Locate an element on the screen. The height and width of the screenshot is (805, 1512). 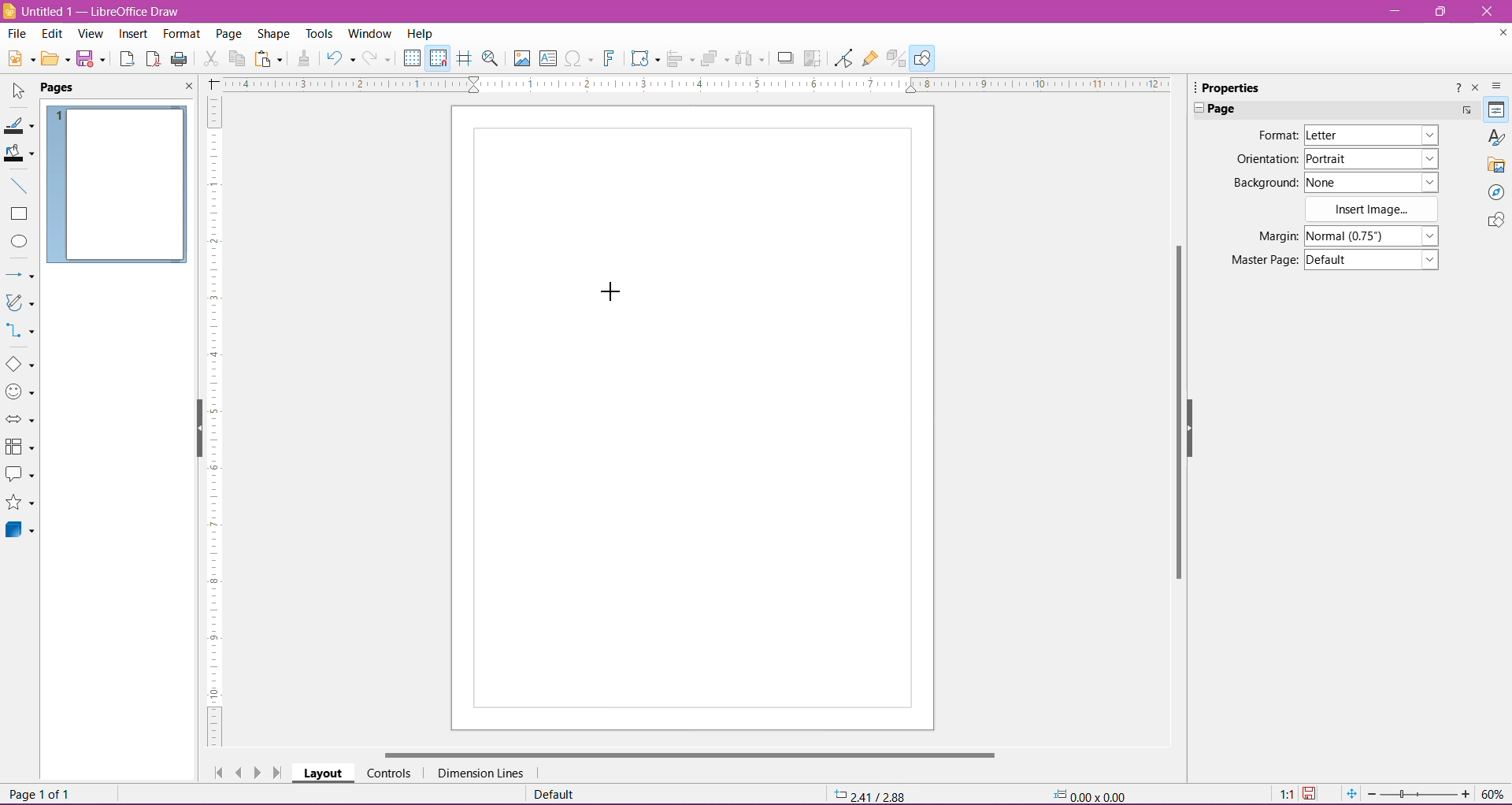
Shadow is located at coordinates (785, 59).